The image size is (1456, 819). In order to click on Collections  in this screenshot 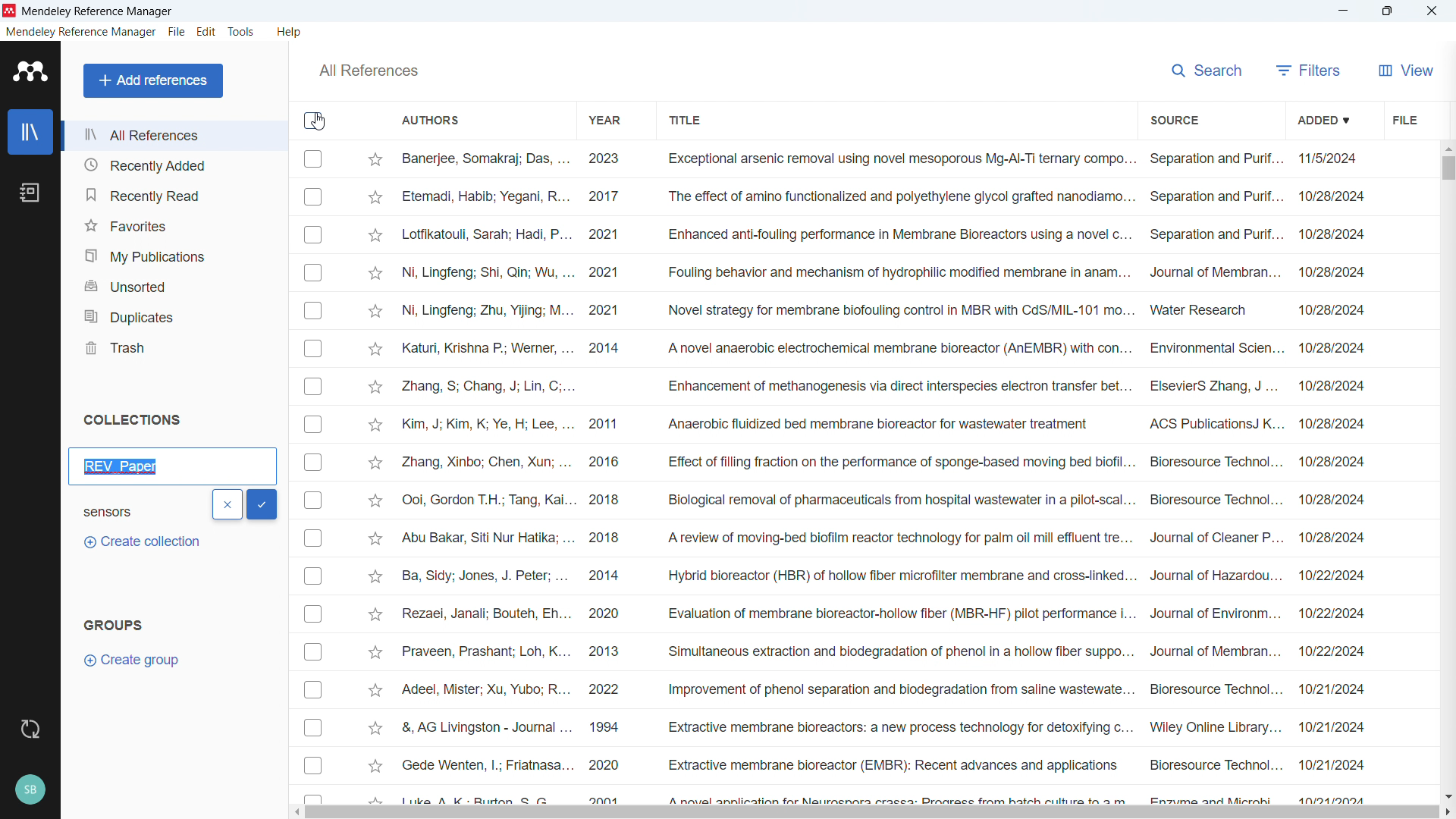, I will do `click(133, 420)`.